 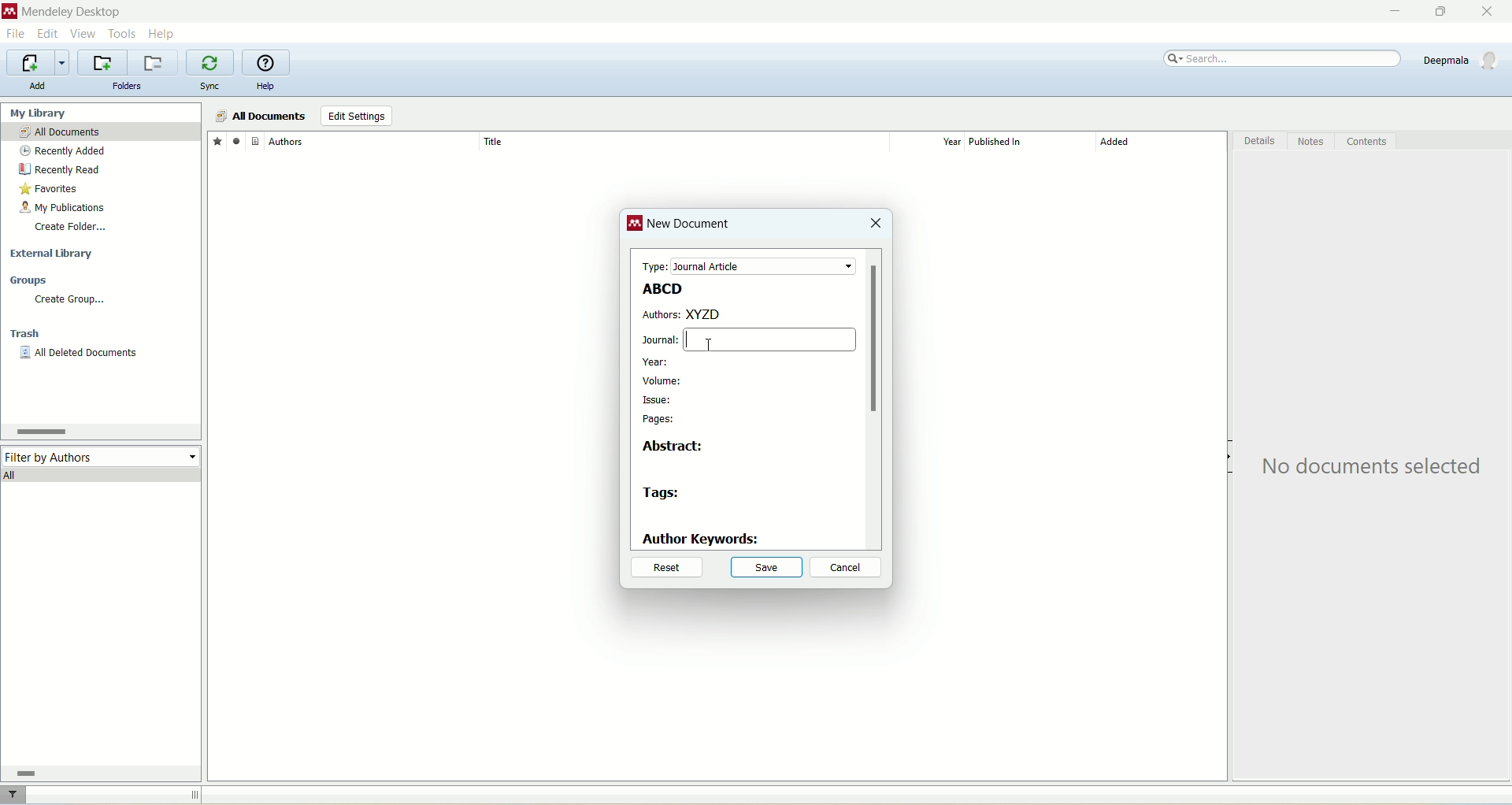 I want to click on mendeley desktop, so click(x=69, y=13).